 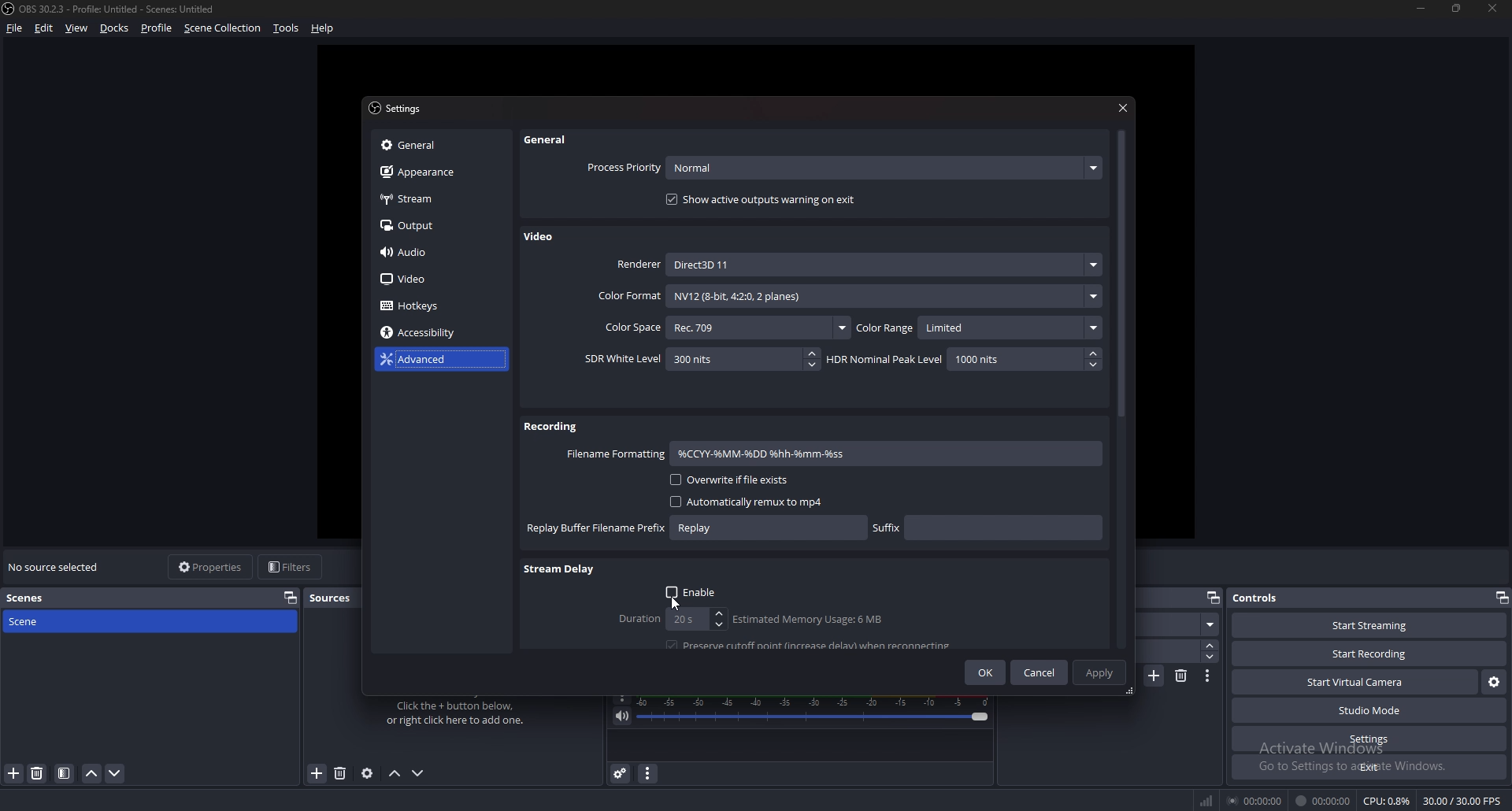 What do you see at coordinates (858, 264) in the screenshot?
I see `Renderer` at bounding box center [858, 264].